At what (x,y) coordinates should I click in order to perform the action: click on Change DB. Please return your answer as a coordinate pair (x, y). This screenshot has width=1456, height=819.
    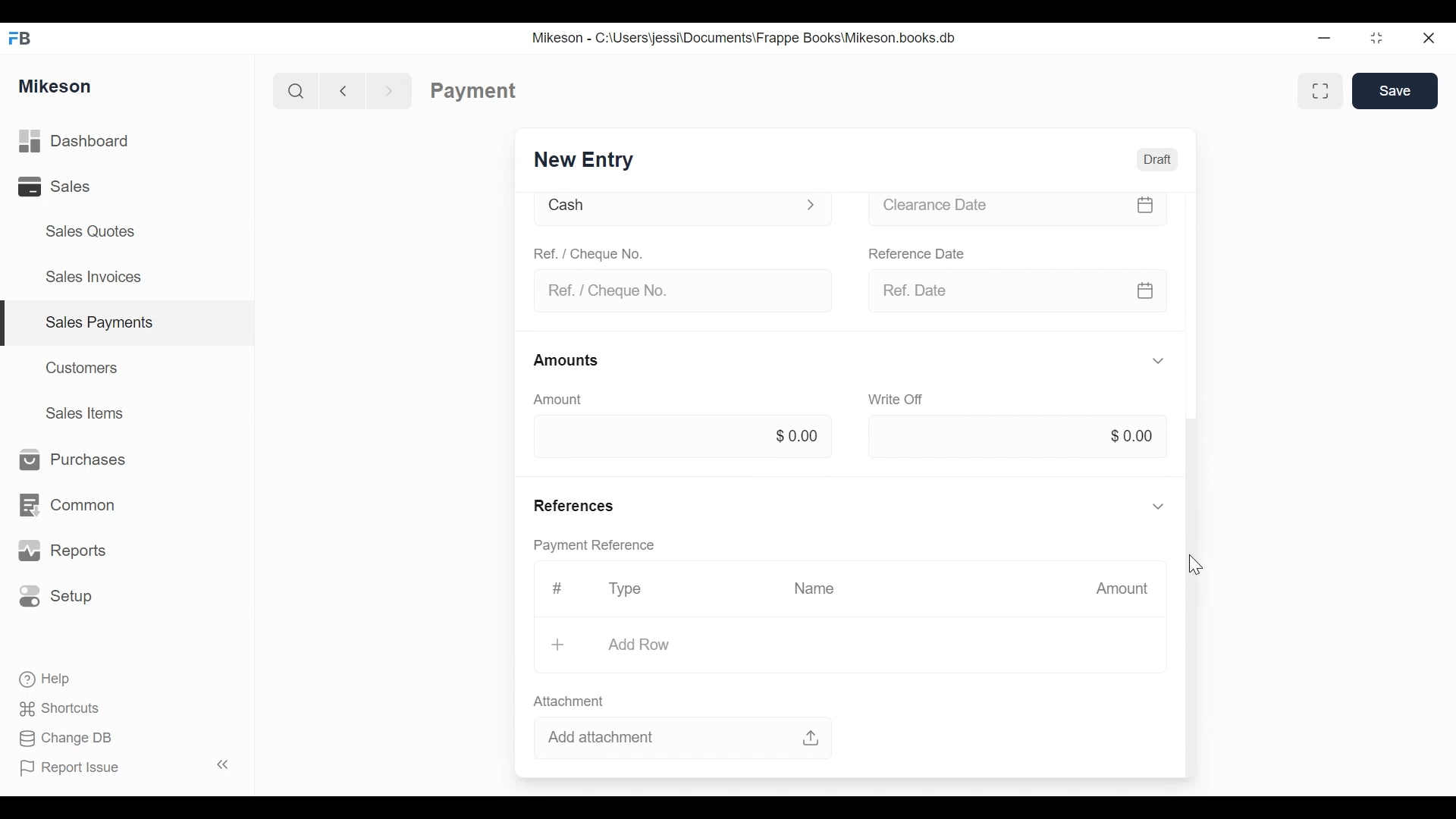
    Looking at the image, I should click on (70, 739).